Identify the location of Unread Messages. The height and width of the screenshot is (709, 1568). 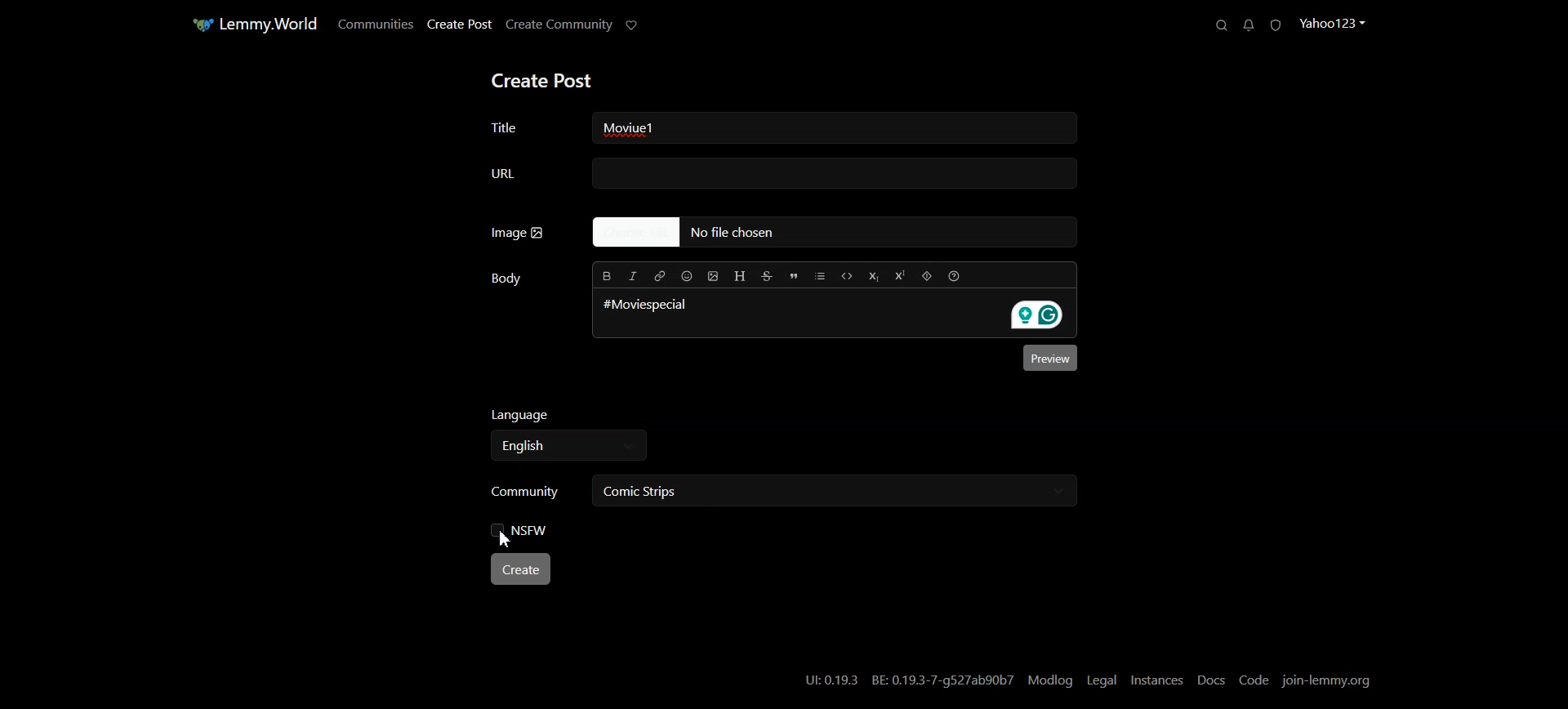
(1246, 25).